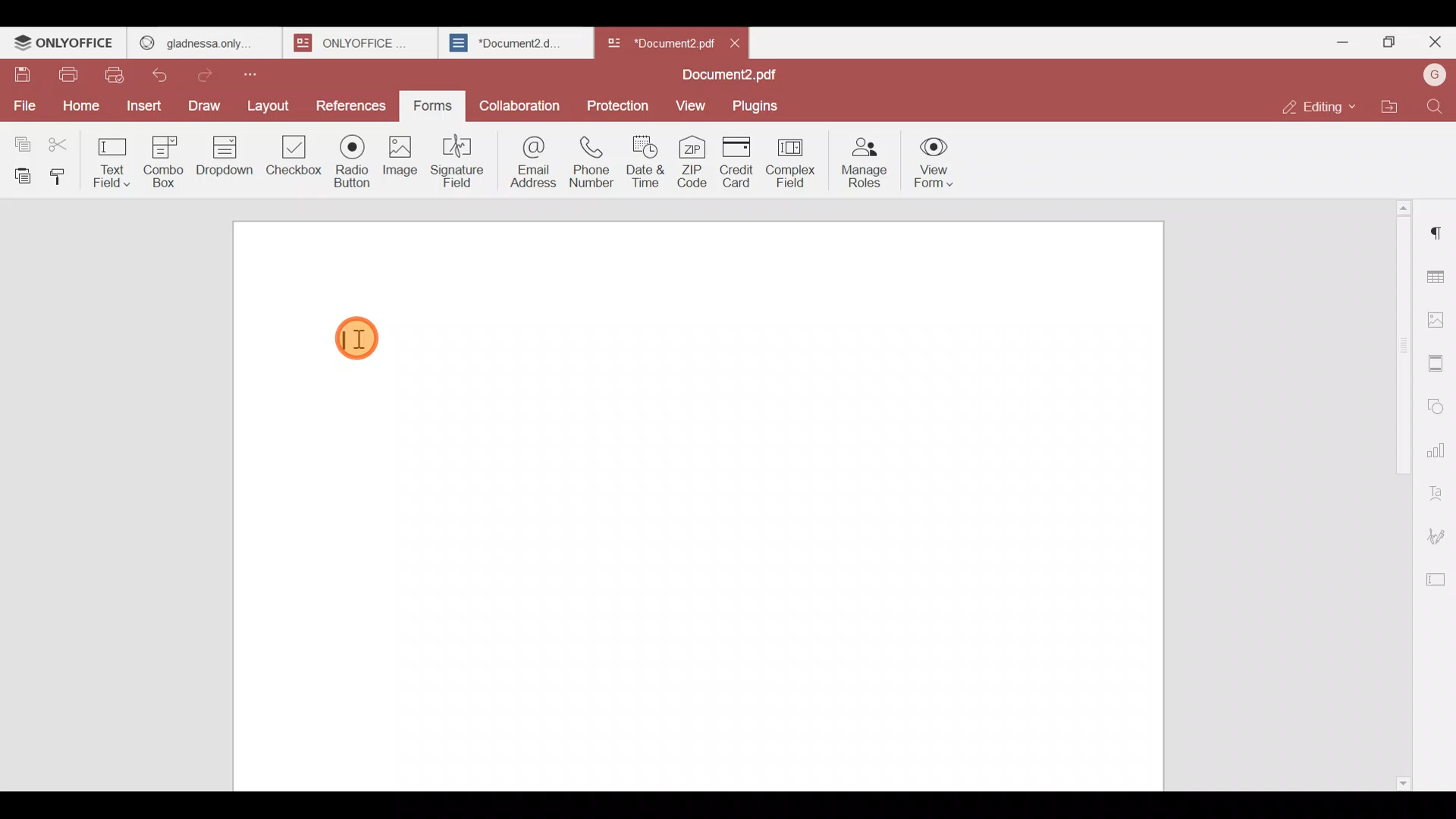 The image size is (1456, 819). I want to click on Header & footer settings, so click(1439, 367).